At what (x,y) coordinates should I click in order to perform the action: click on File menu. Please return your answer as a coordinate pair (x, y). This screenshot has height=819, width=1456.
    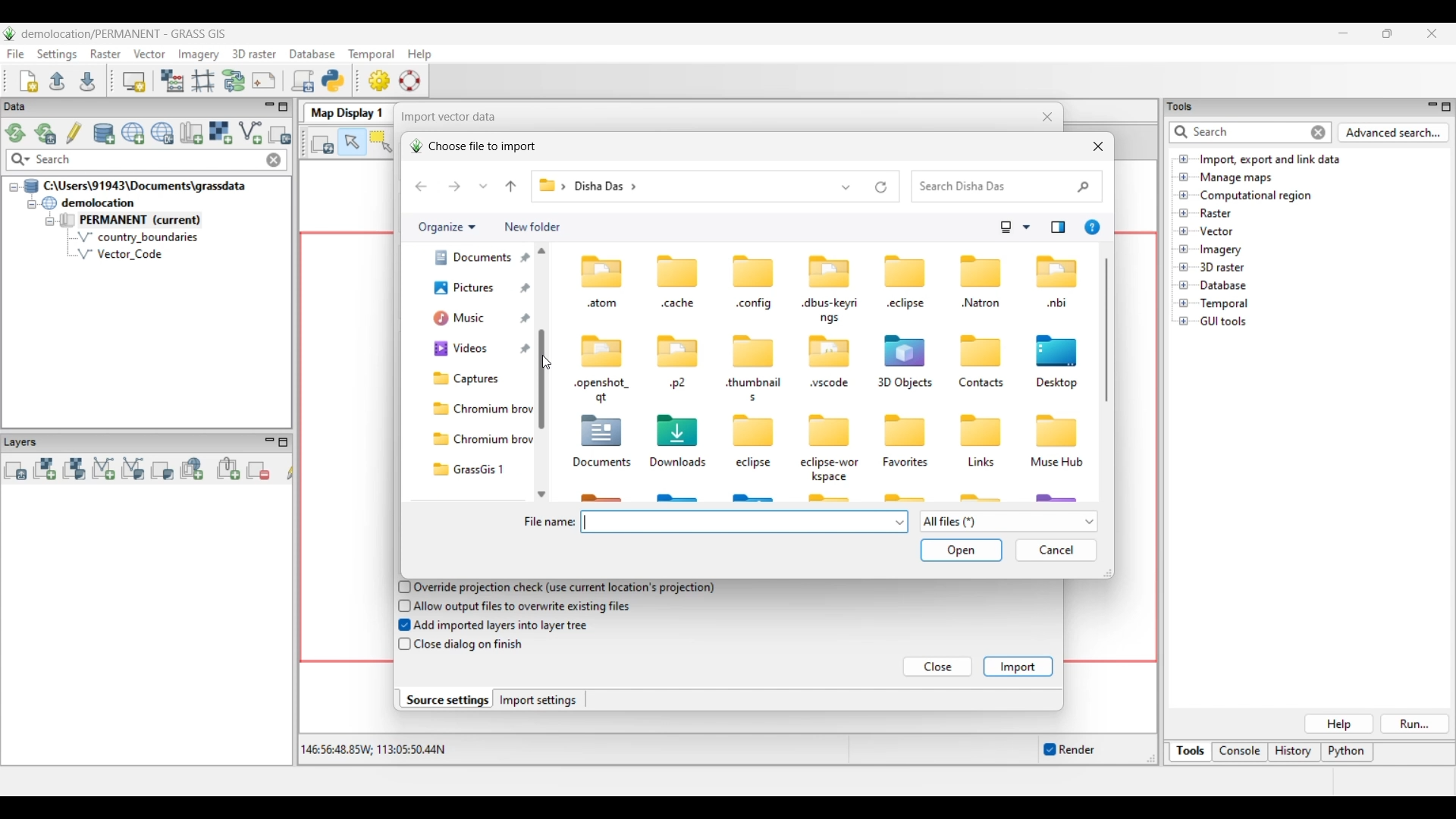
    Looking at the image, I should click on (16, 54).